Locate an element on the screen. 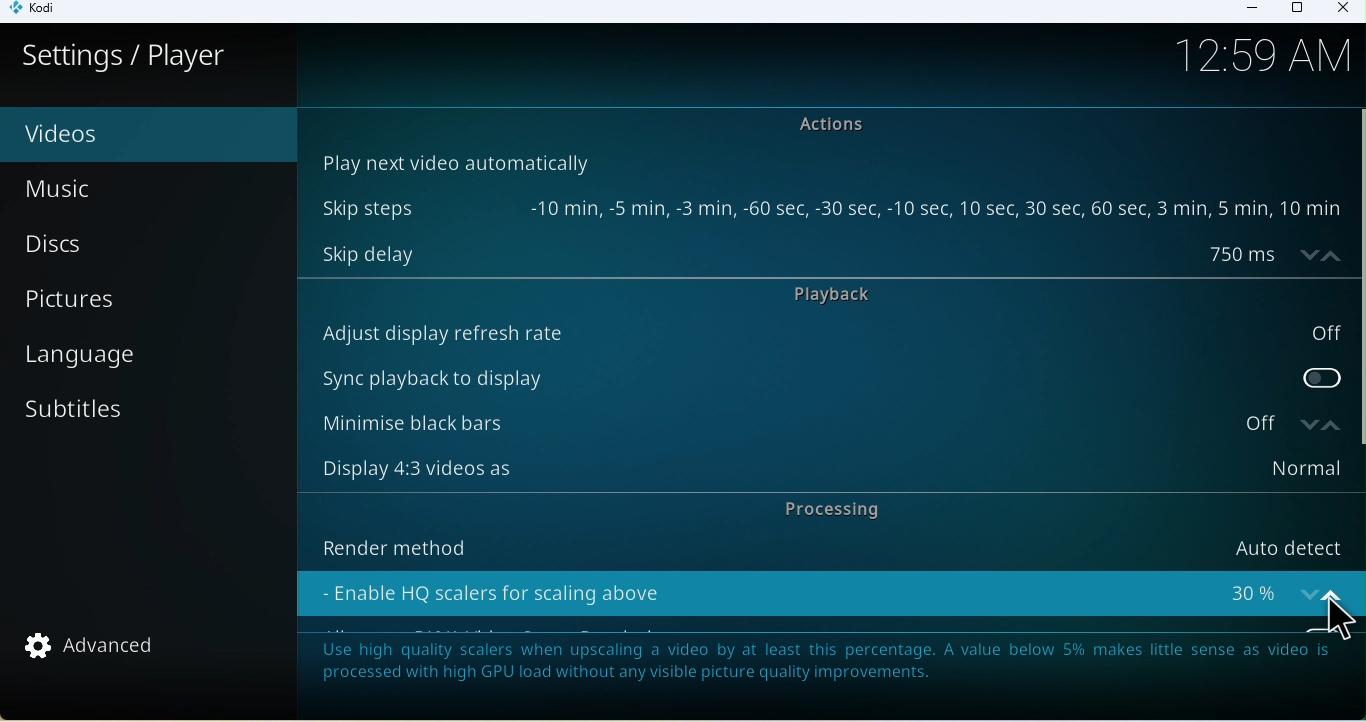 Image resolution: width=1366 pixels, height=722 pixels. Processing is located at coordinates (826, 510).